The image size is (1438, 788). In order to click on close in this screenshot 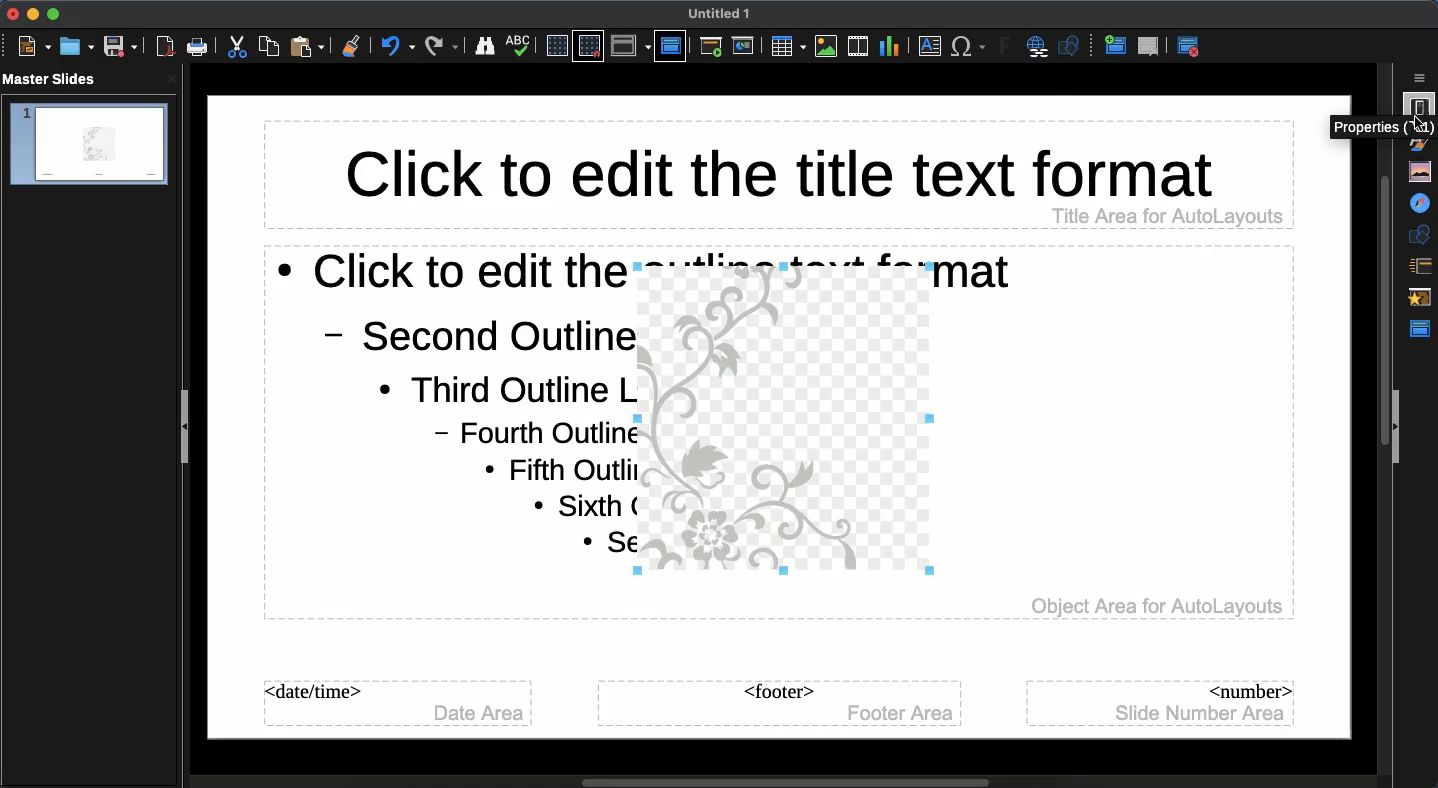, I will do `click(172, 79)`.